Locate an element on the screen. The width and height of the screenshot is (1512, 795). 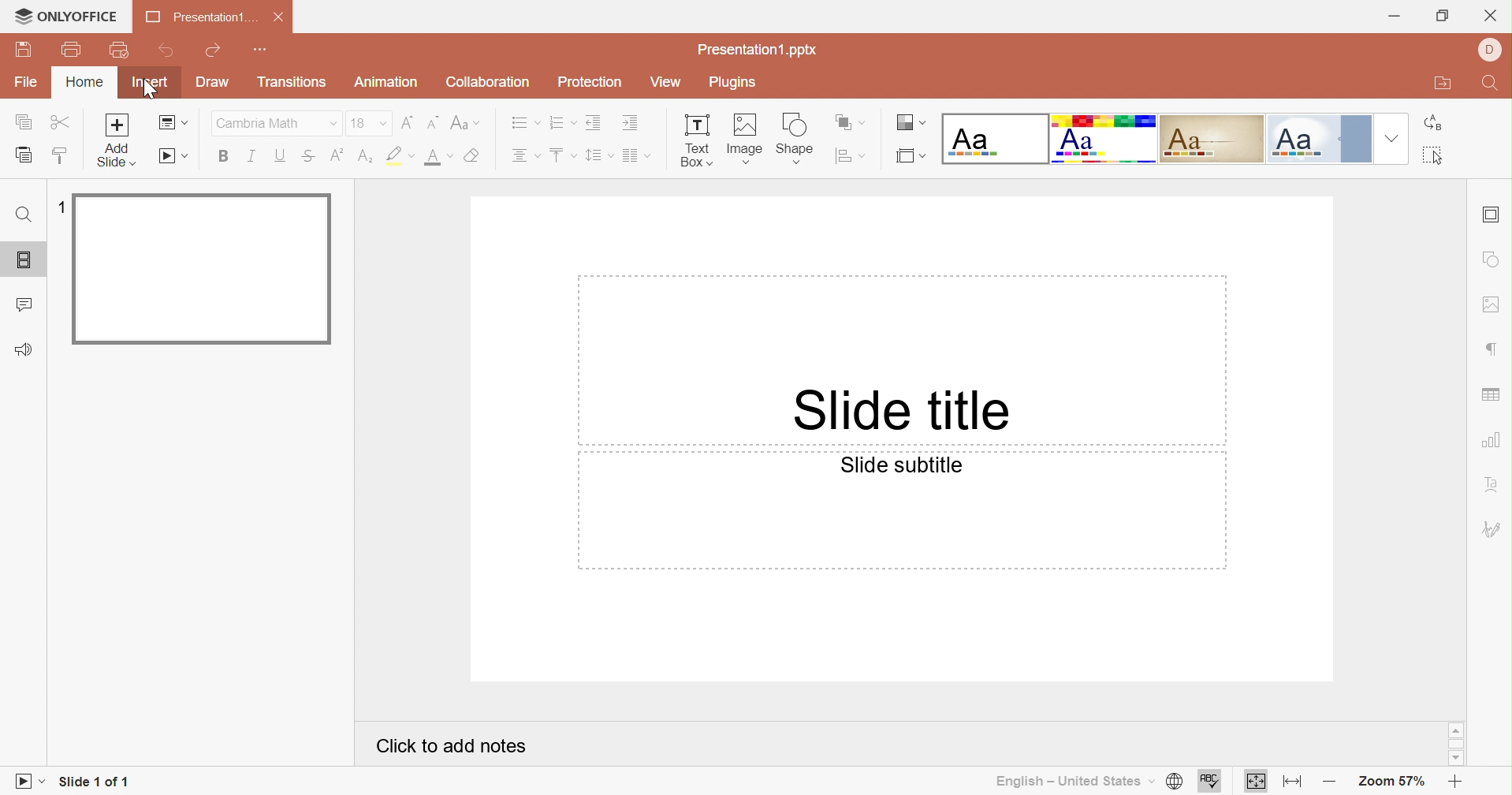
Text Art settings is located at coordinates (1492, 484).